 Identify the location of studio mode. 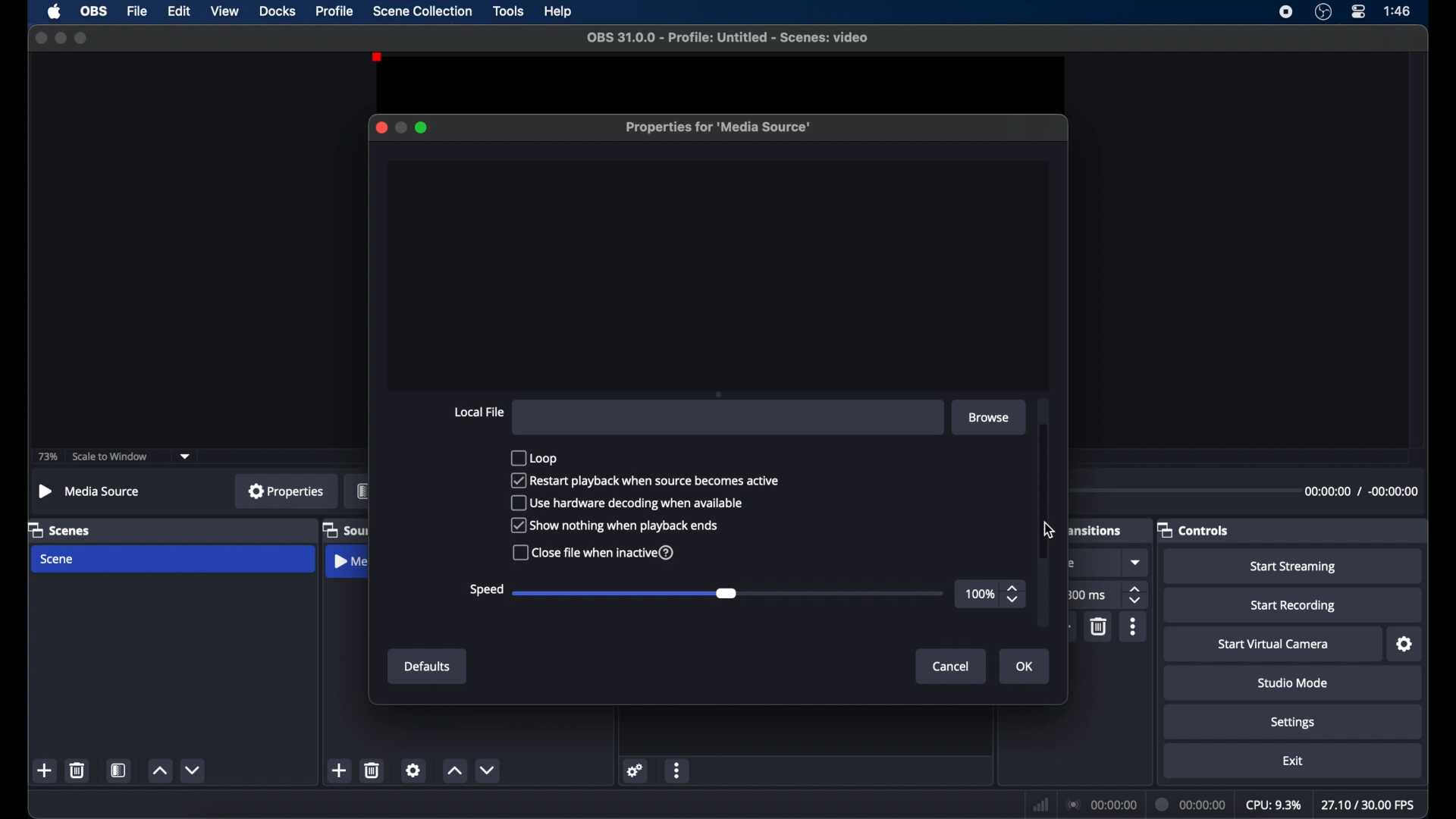
(1294, 682).